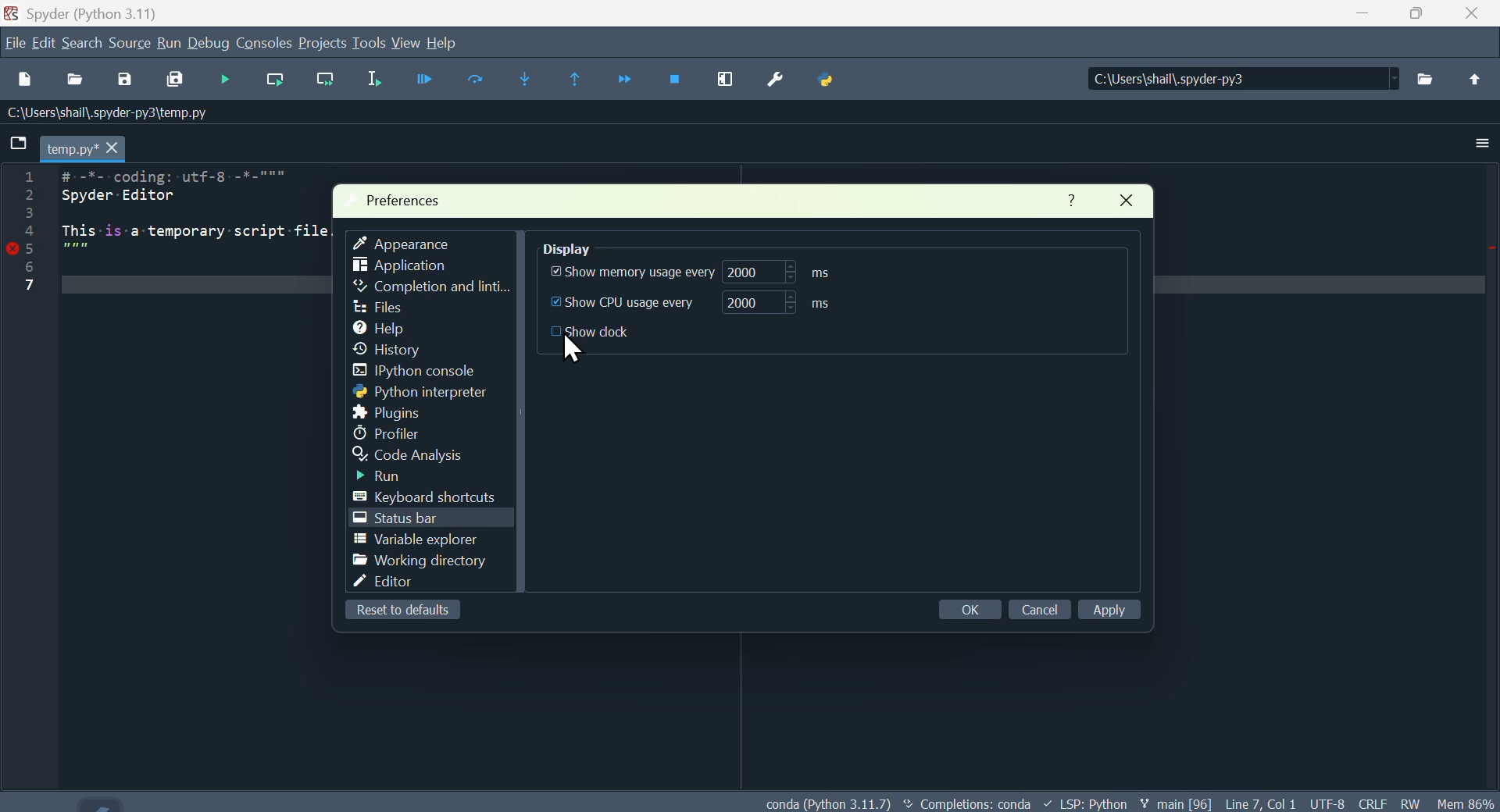  What do you see at coordinates (435, 496) in the screenshot?
I see `Keyboard shortcuts` at bounding box center [435, 496].